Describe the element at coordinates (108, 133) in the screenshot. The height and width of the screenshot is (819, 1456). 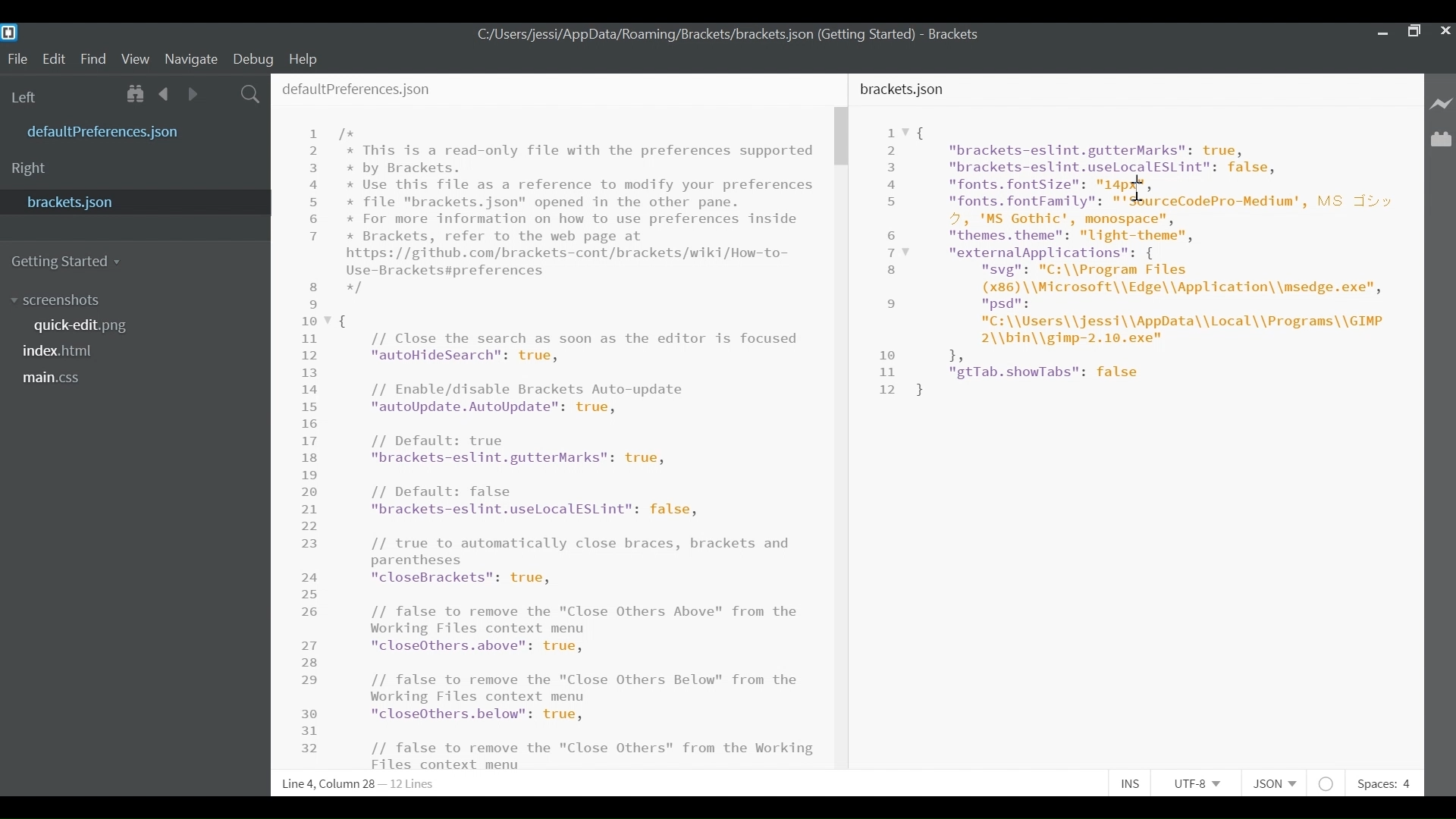
I see `defaultPreference.json File` at that location.